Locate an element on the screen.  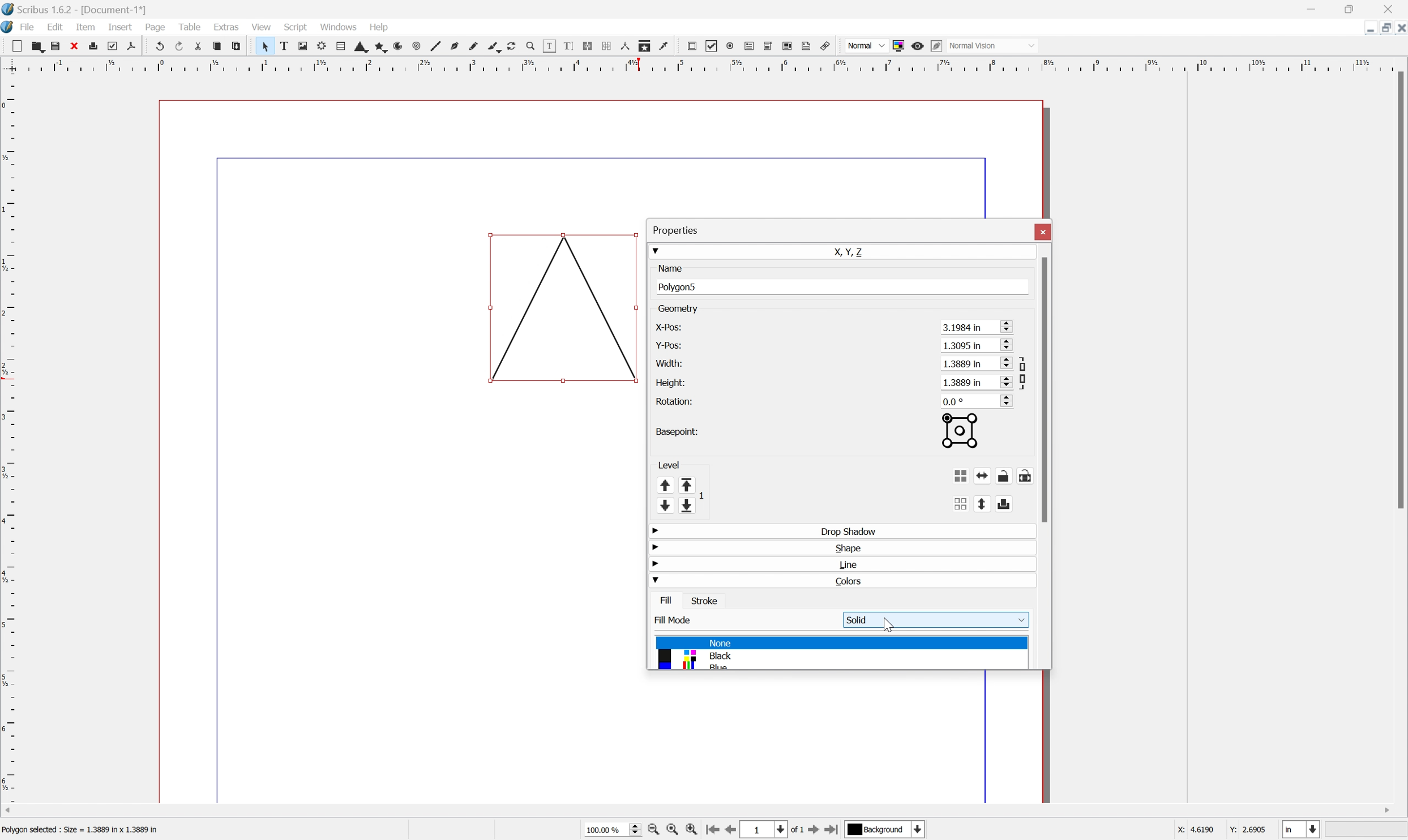
Edit contents of frame is located at coordinates (549, 46).